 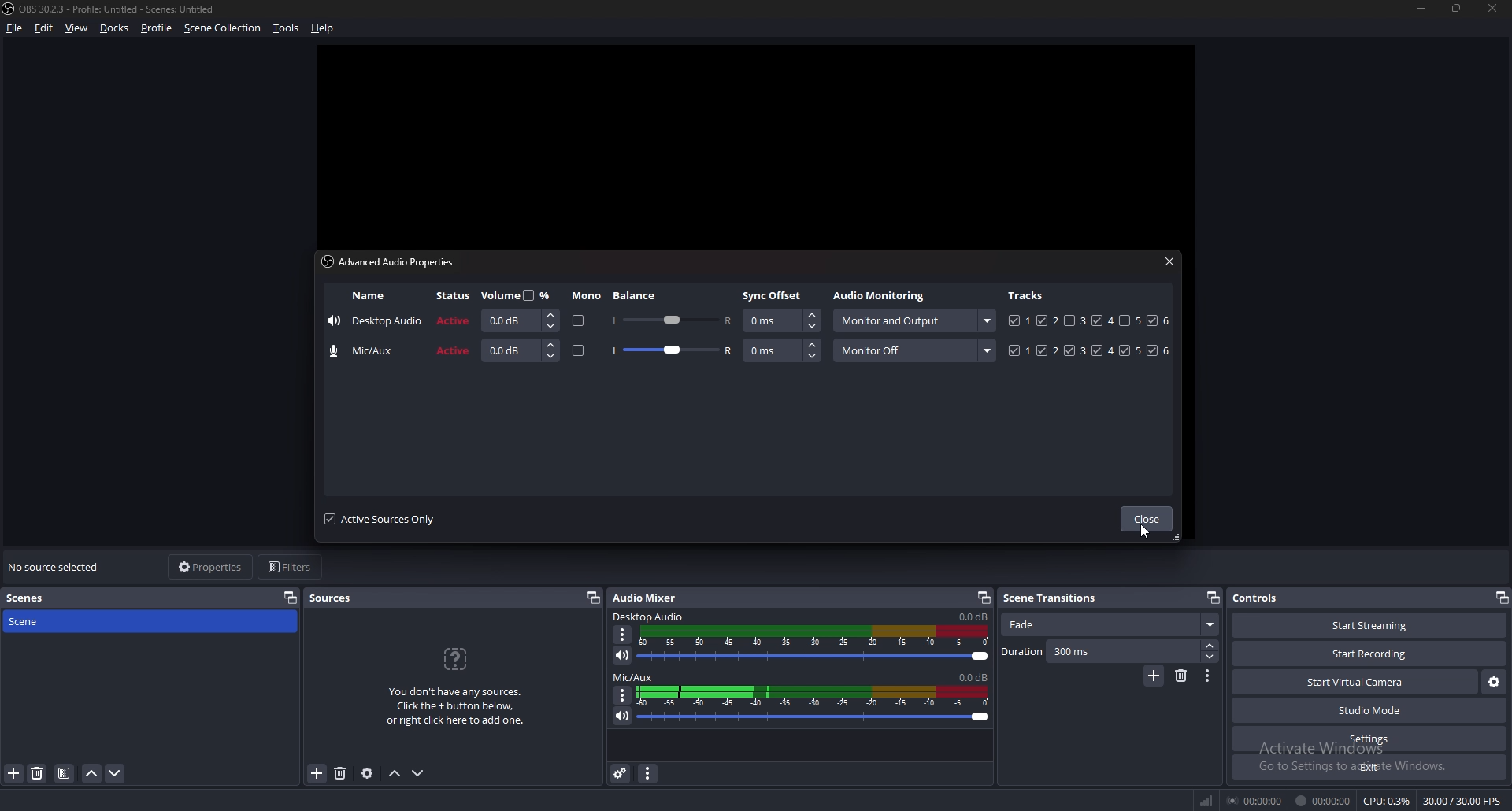 What do you see at coordinates (587, 296) in the screenshot?
I see `mono` at bounding box center [587, 296].